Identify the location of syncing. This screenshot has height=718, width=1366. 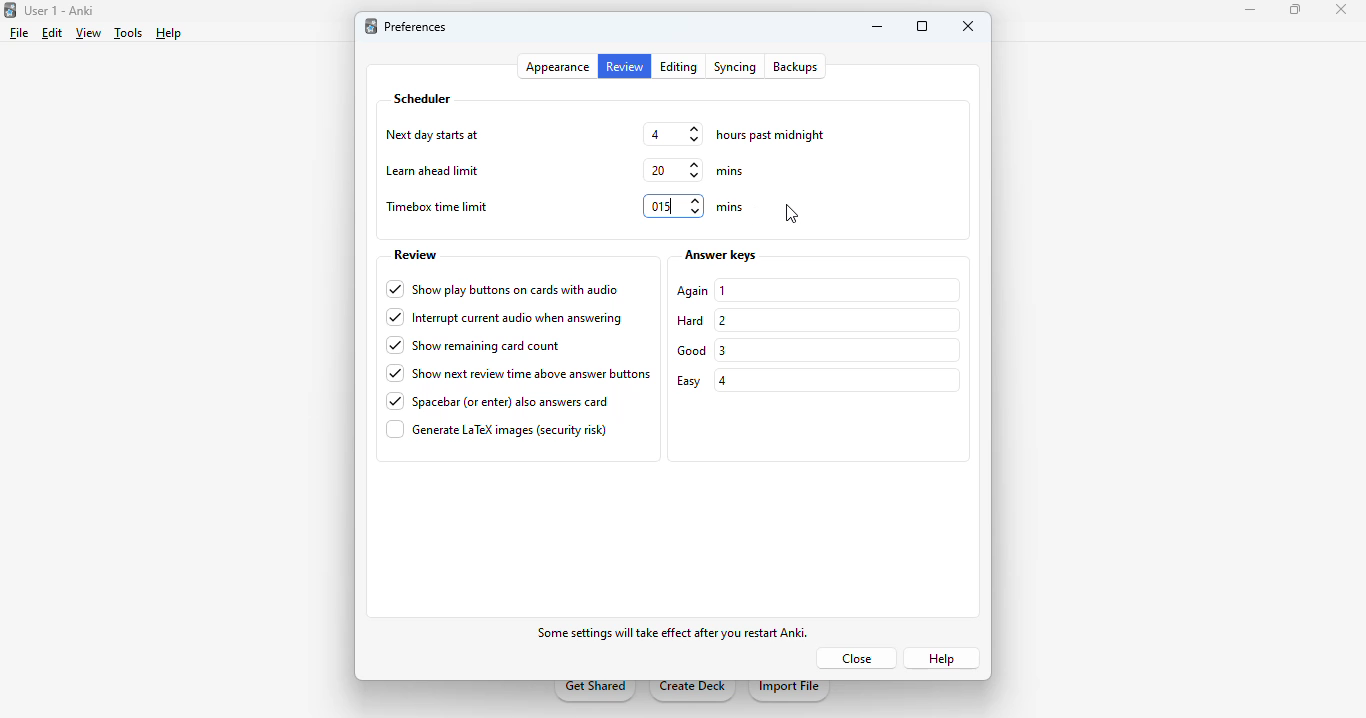
(733, 66).